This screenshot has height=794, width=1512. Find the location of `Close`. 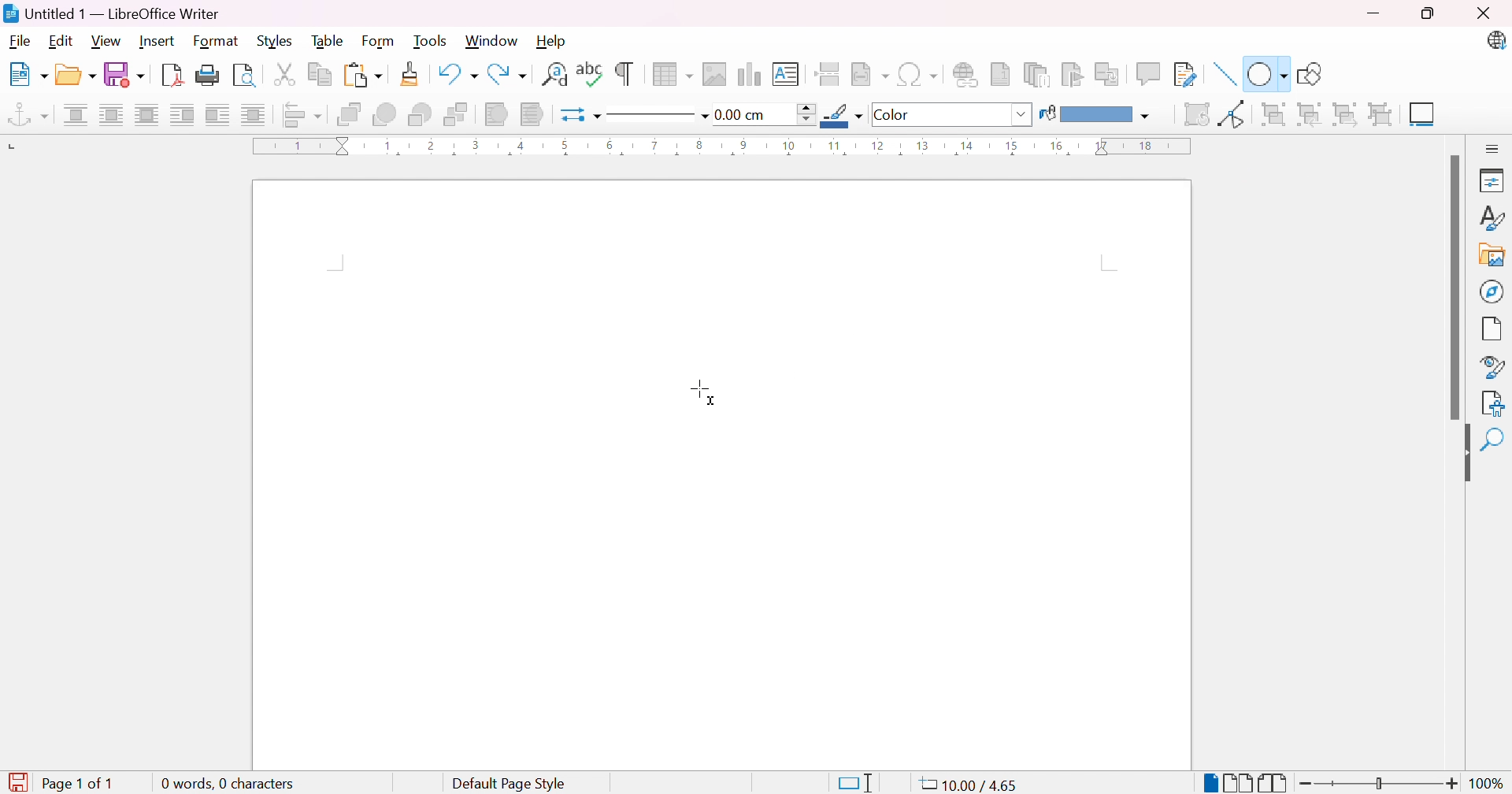

Close is located at coordinates (1481, 13).